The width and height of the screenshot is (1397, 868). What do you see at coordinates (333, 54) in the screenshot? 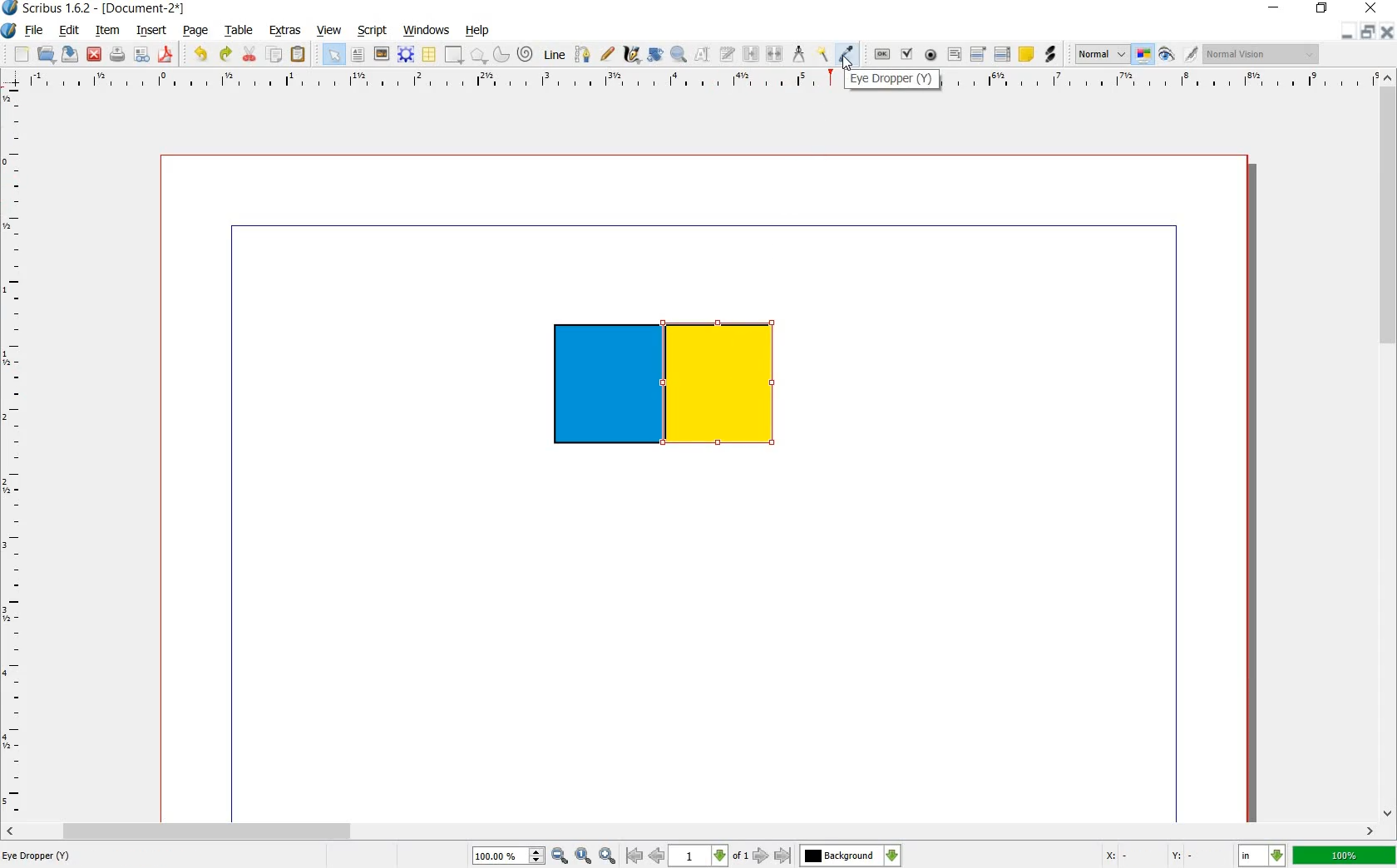
I see `text frame` at bounding box center [333, 54].